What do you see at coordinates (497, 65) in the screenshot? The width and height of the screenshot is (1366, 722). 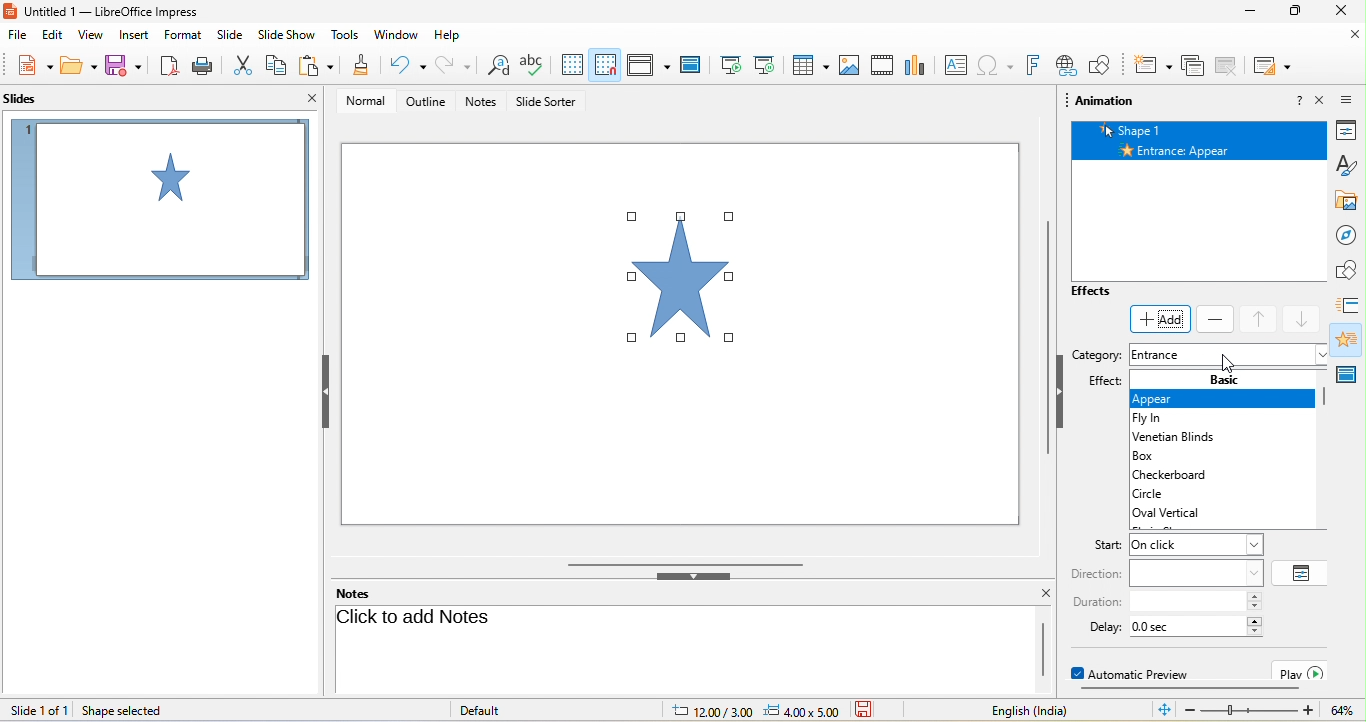 I see `find and replace` at bounding box center [497, 65].